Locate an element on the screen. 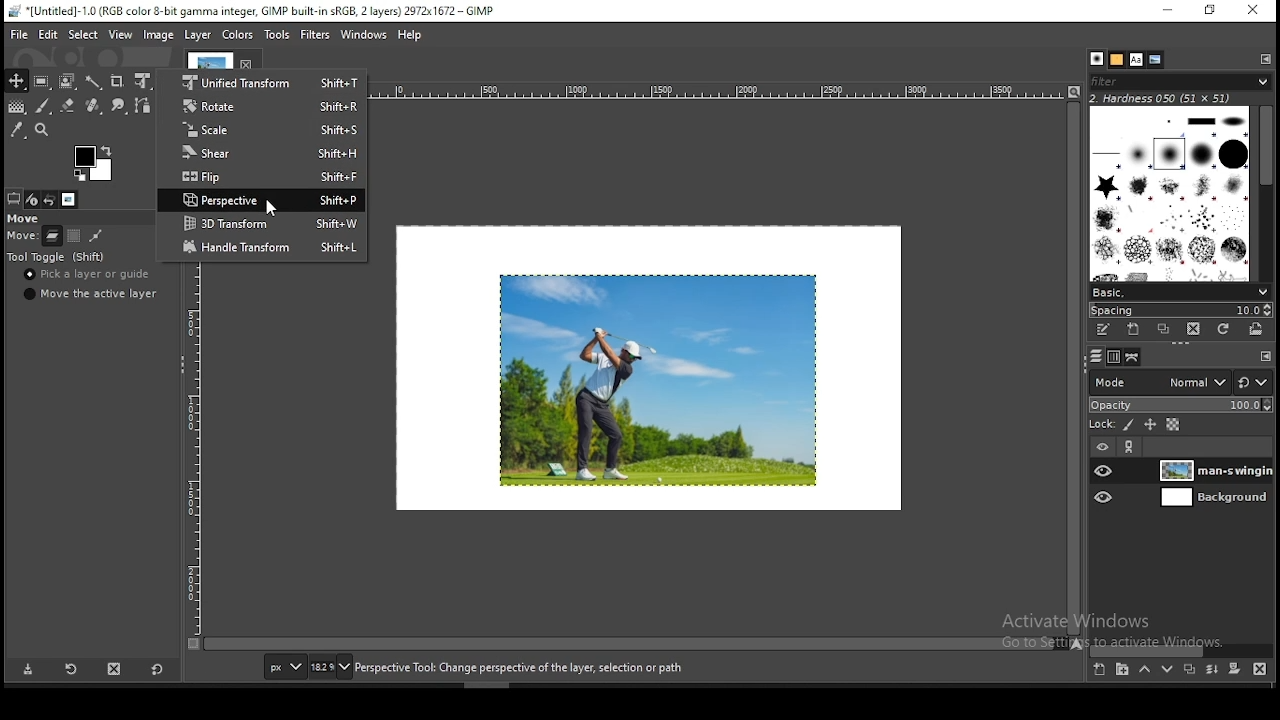 Image resolution: width=1280 pixels, height=720 pixels. edit this brush is located at coordinates (1105, 333).